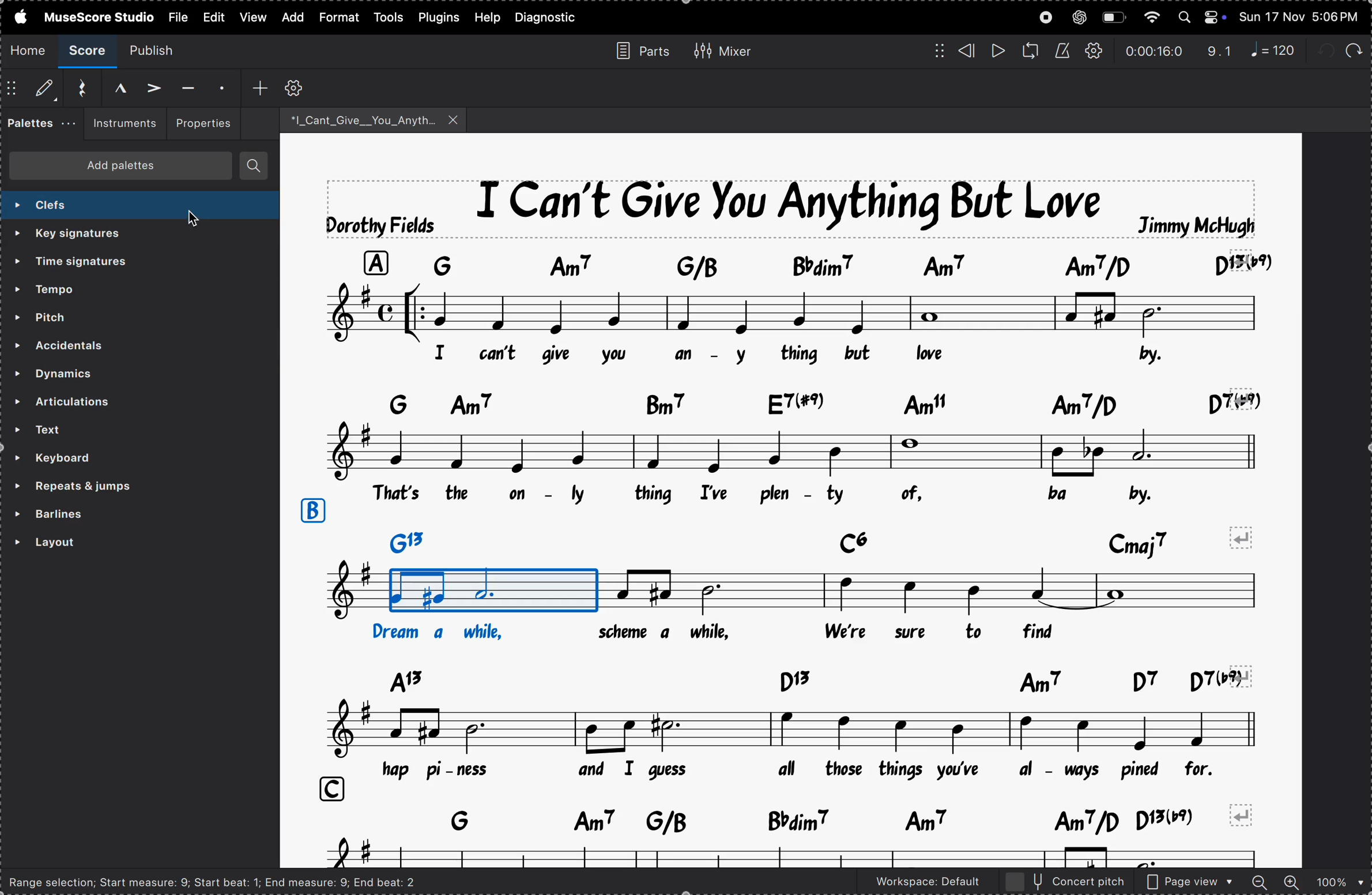  I want to click on key notes, so click(824, 539).